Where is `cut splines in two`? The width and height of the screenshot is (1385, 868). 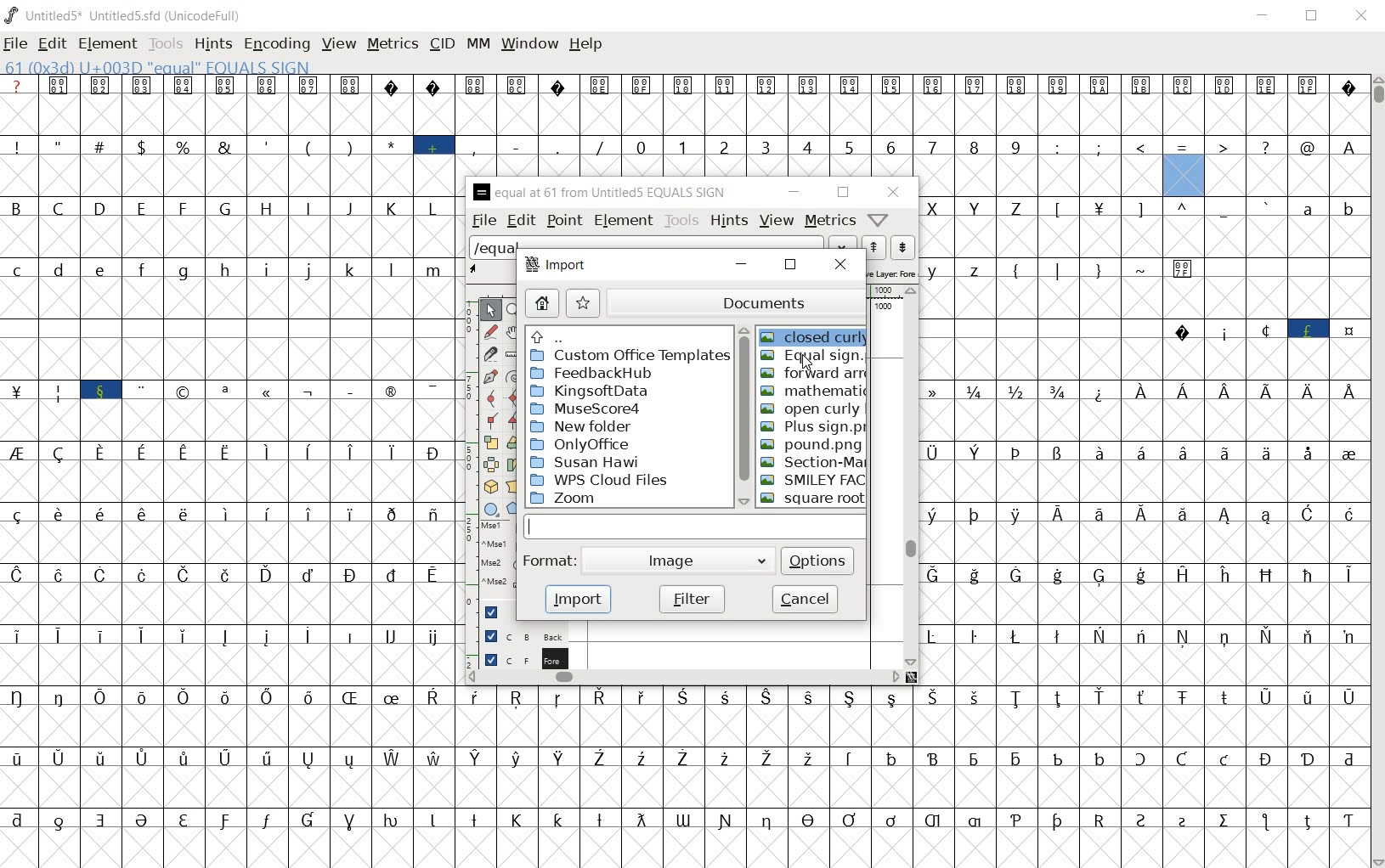
cut splines in two is located at coordinates (489, 352).